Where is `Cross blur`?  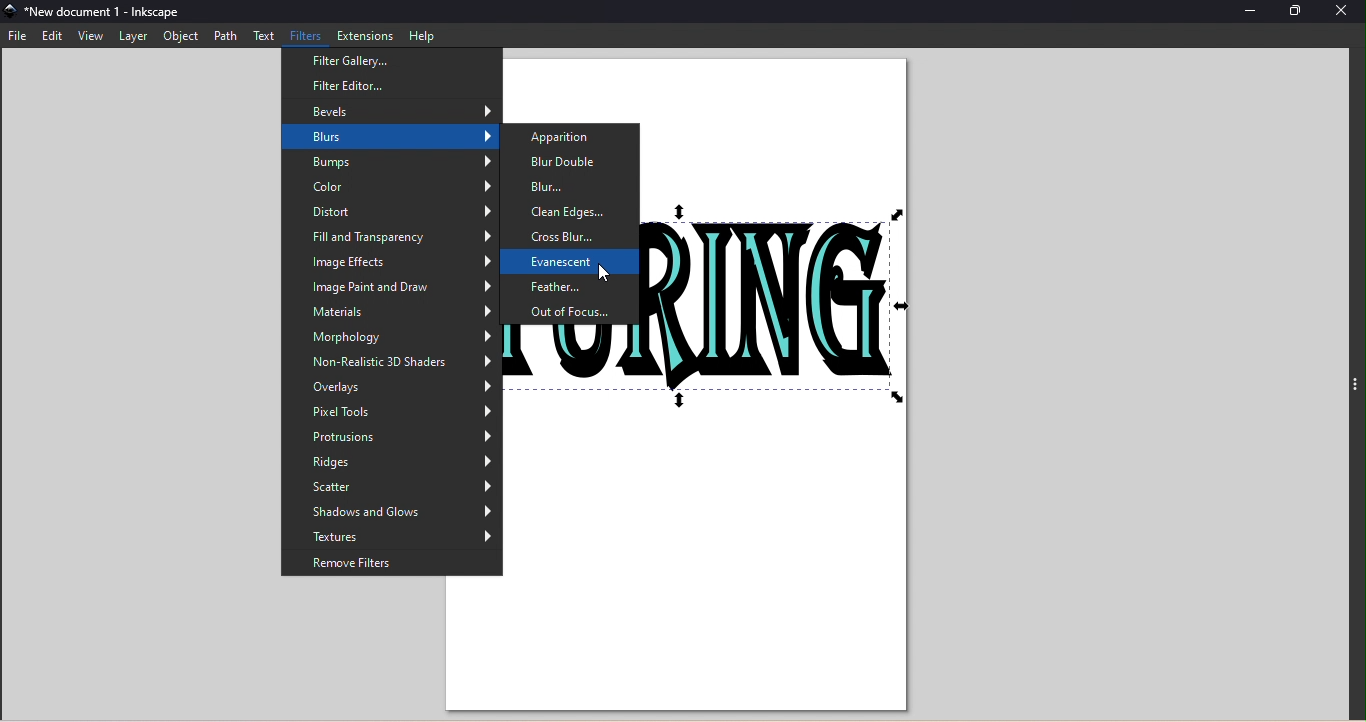
Cross blur is located at coordinates (574, 238).